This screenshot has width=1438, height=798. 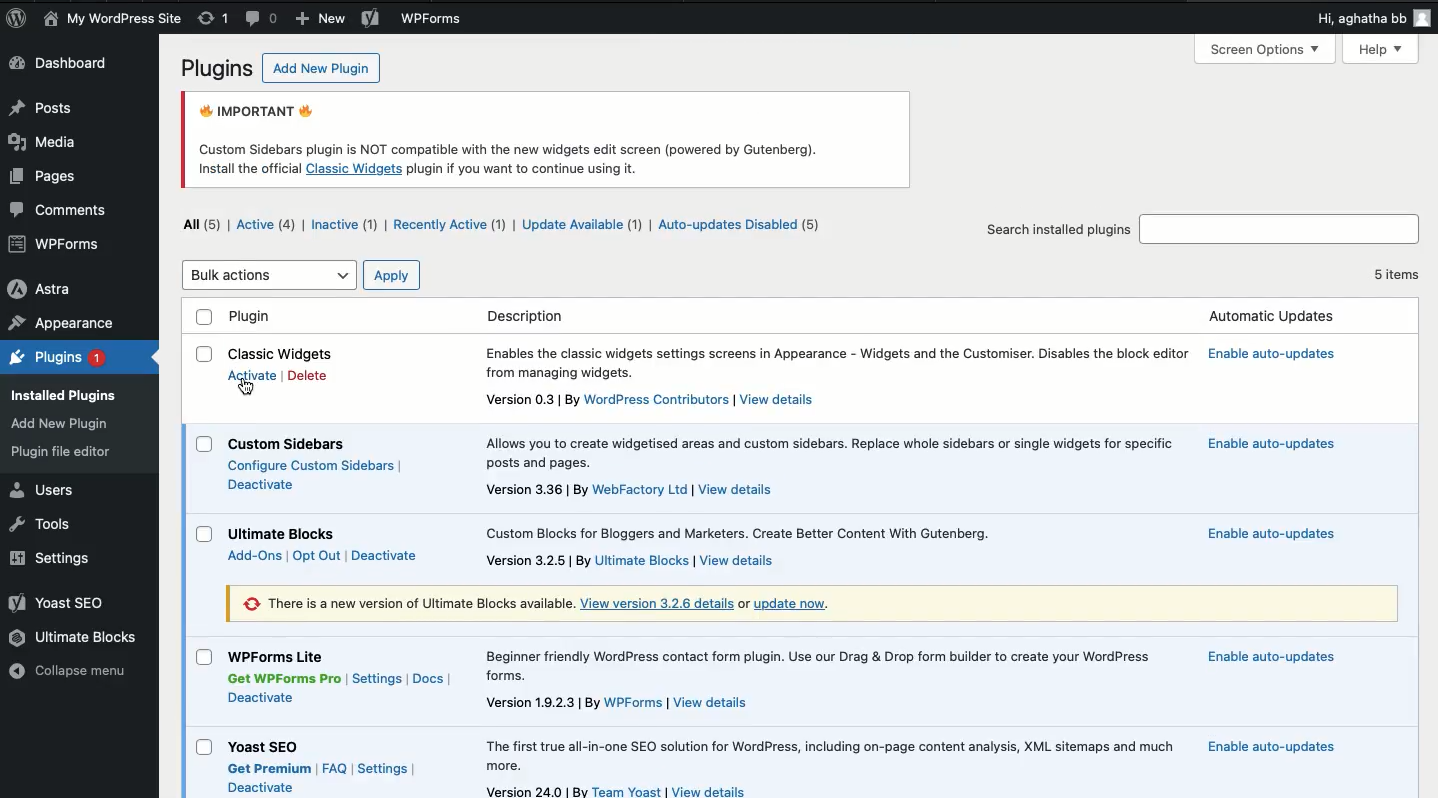 What do you see at coordinates (295, 443) in the screenshot?
I see `Custom sidebars` at bounding box center [295, 443].